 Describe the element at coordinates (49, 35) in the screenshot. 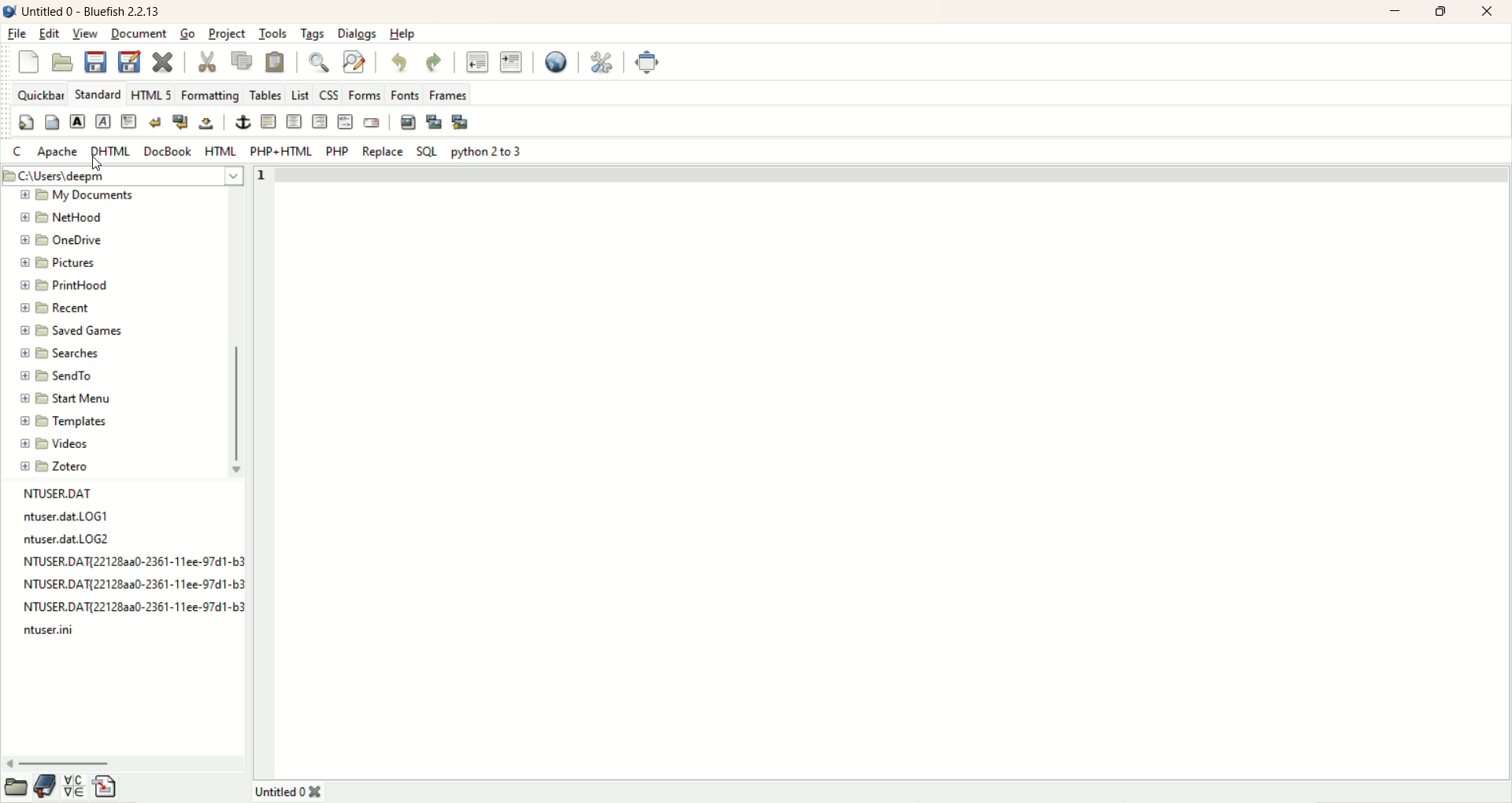

I see `edit` at that location.